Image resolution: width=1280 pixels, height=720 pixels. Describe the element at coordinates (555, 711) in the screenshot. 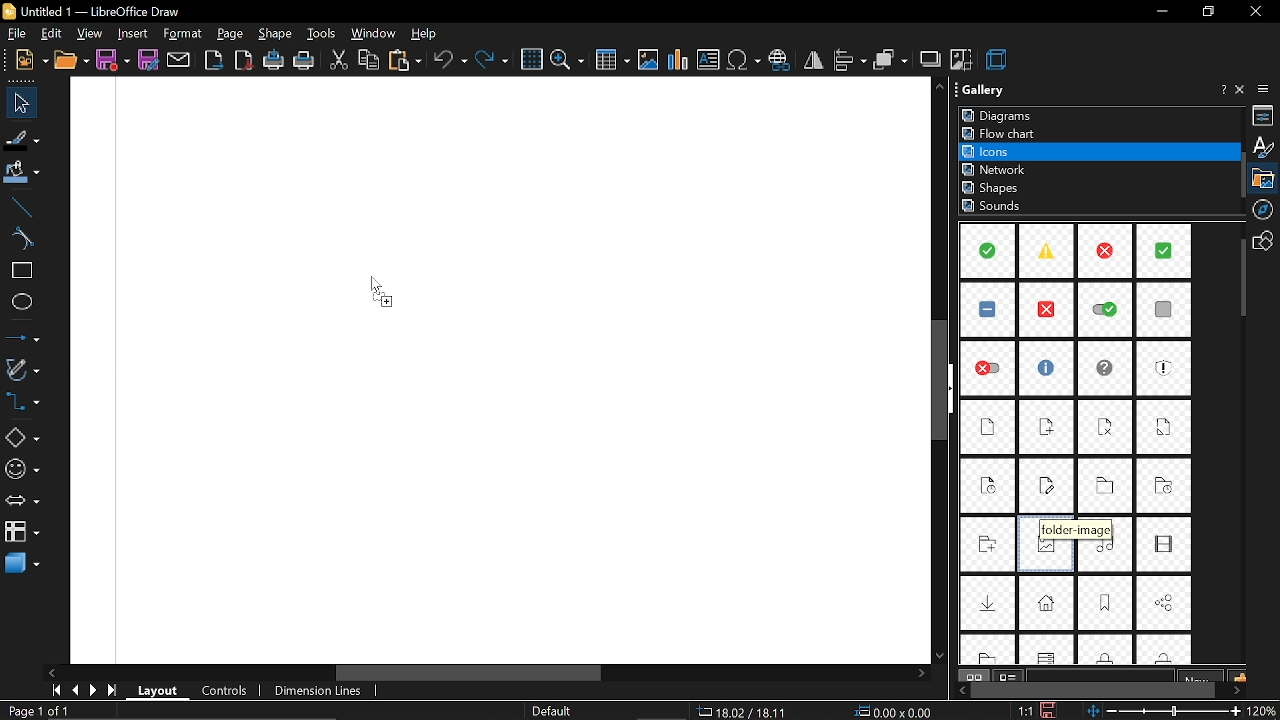

I see `Default` at that location.